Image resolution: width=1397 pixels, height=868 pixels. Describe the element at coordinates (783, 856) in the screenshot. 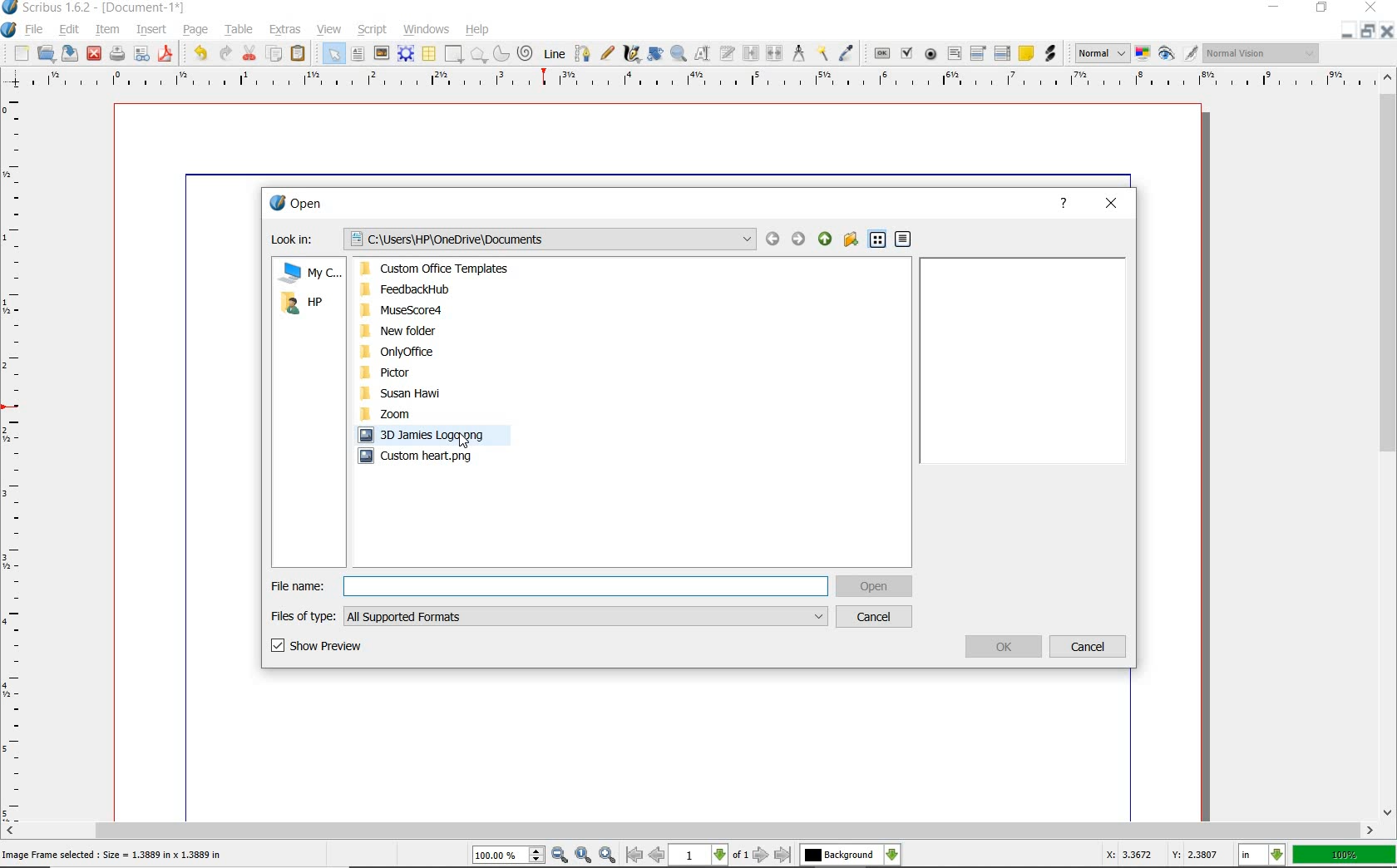

I see `Last Page` at that location.